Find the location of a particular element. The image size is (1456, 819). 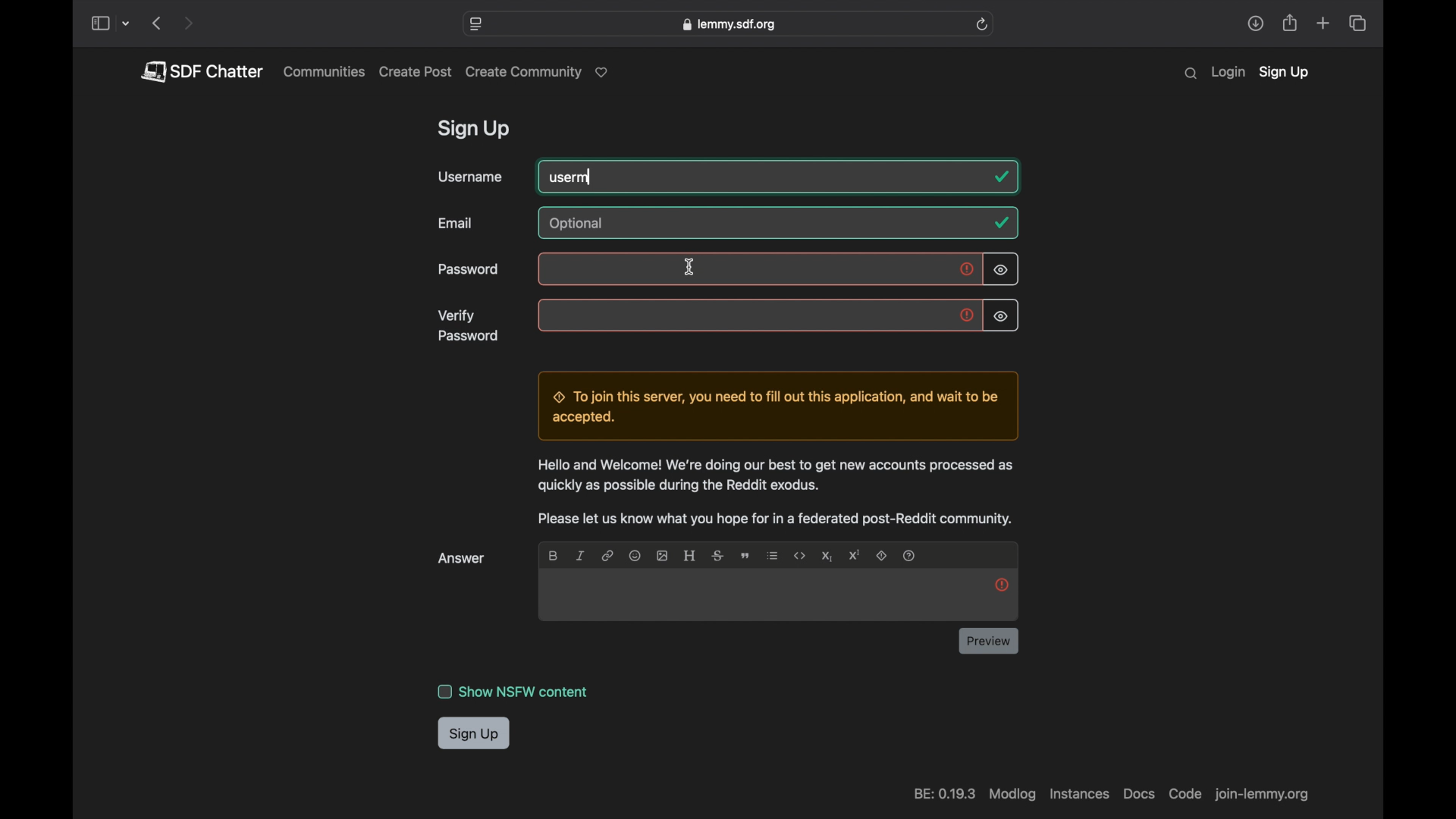

instances is located at coordinates (1078, 794).